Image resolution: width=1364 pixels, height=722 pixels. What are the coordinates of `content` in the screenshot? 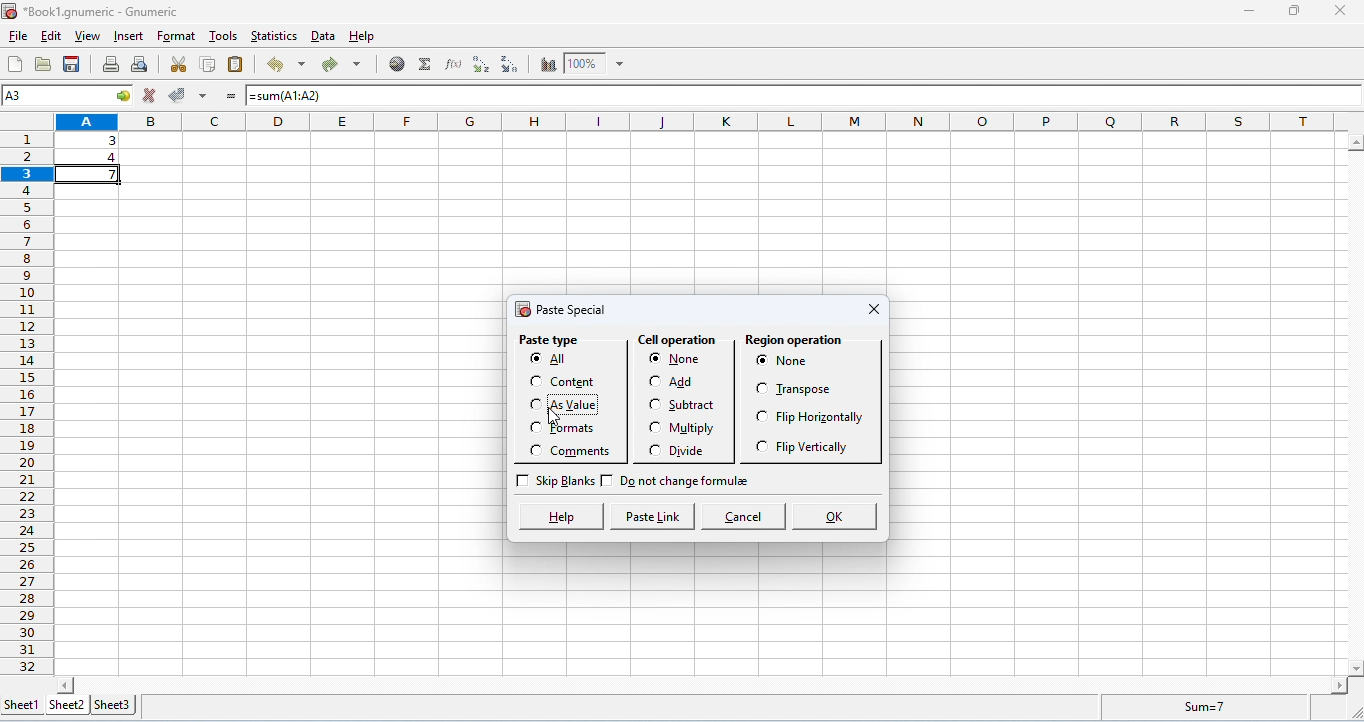 It's located at (577, 382).